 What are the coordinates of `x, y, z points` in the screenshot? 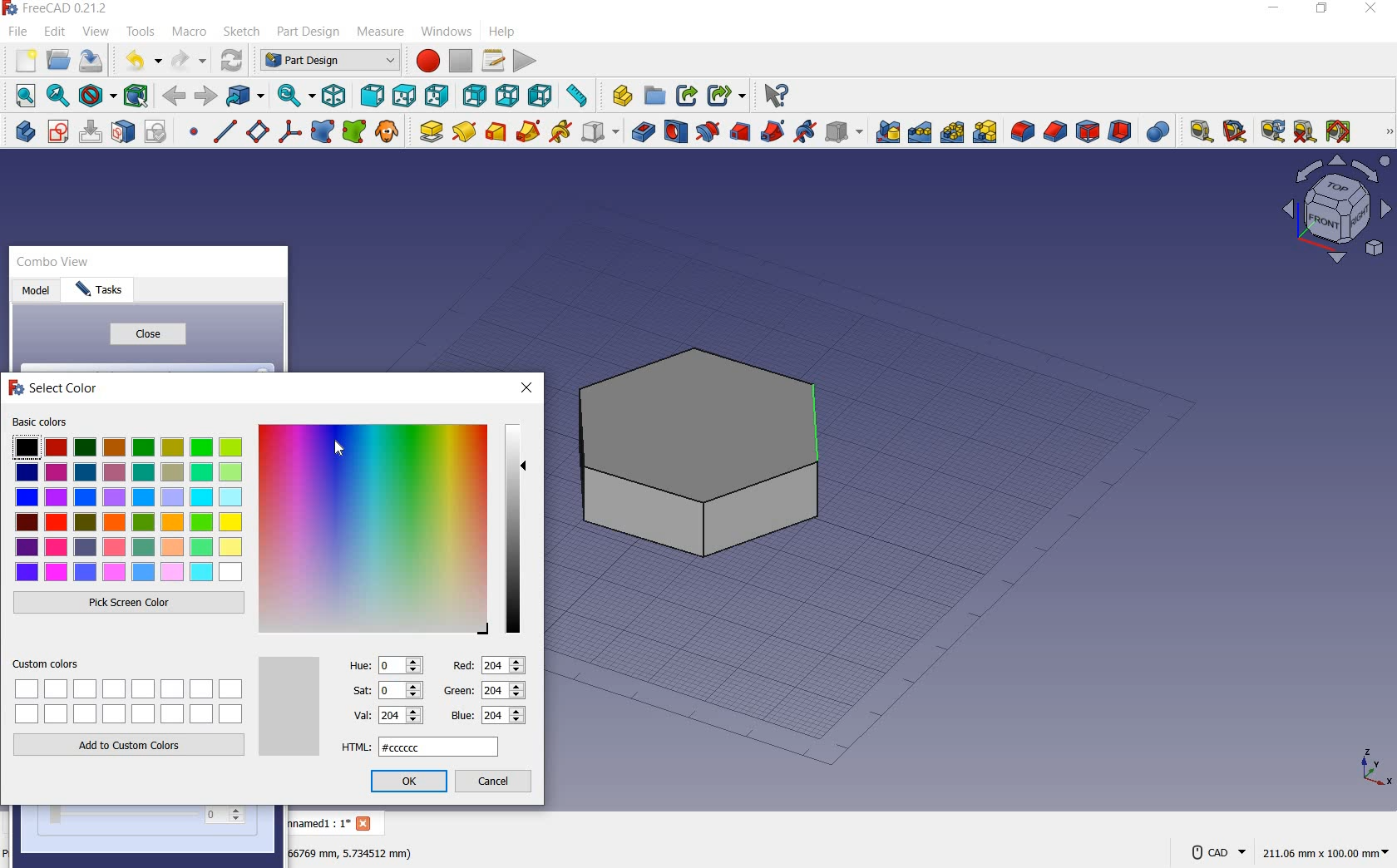 It's located at (1374, 773).